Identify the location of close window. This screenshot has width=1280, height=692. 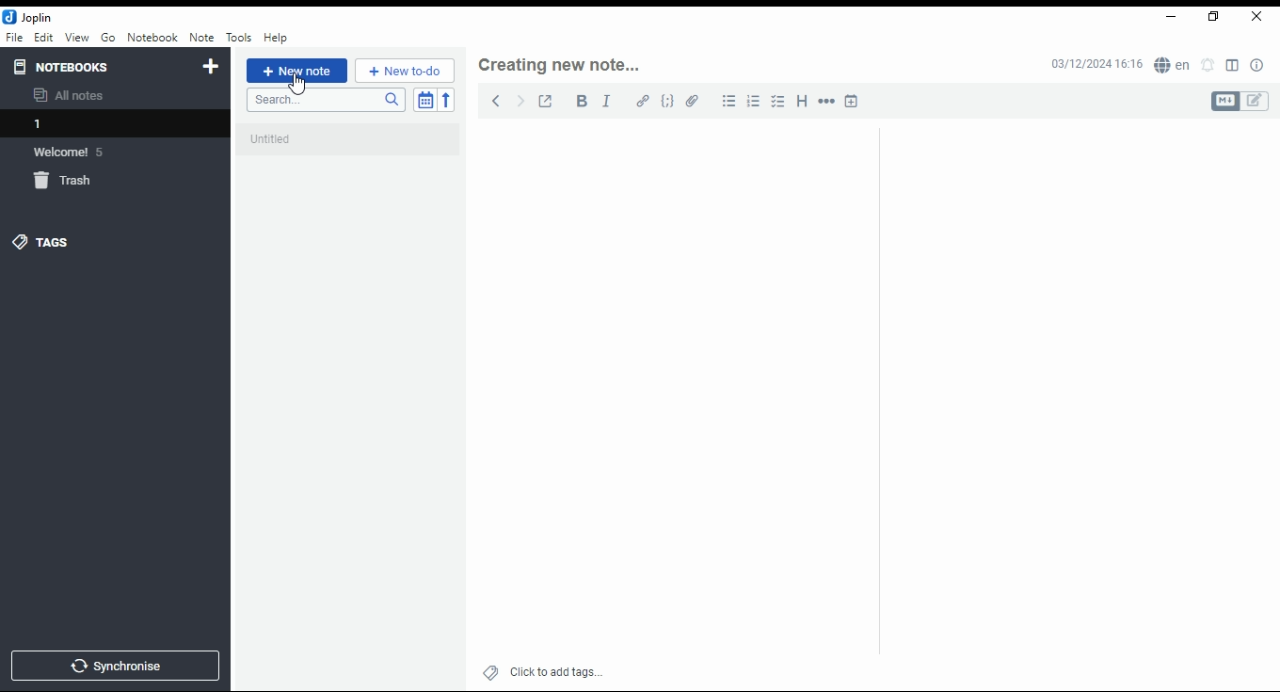
(1258, 17).